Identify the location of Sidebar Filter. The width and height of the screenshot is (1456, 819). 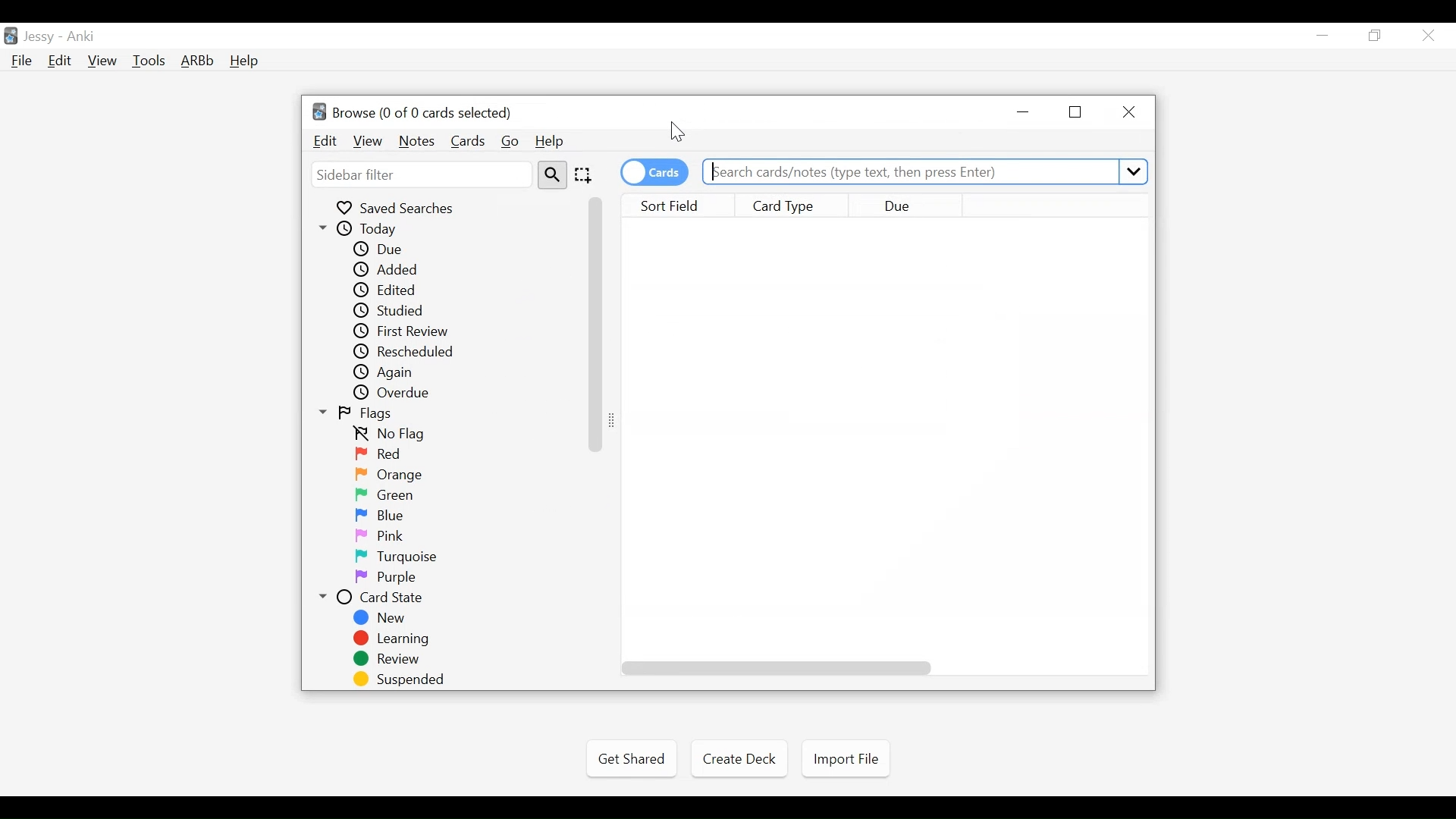
(422, 175).